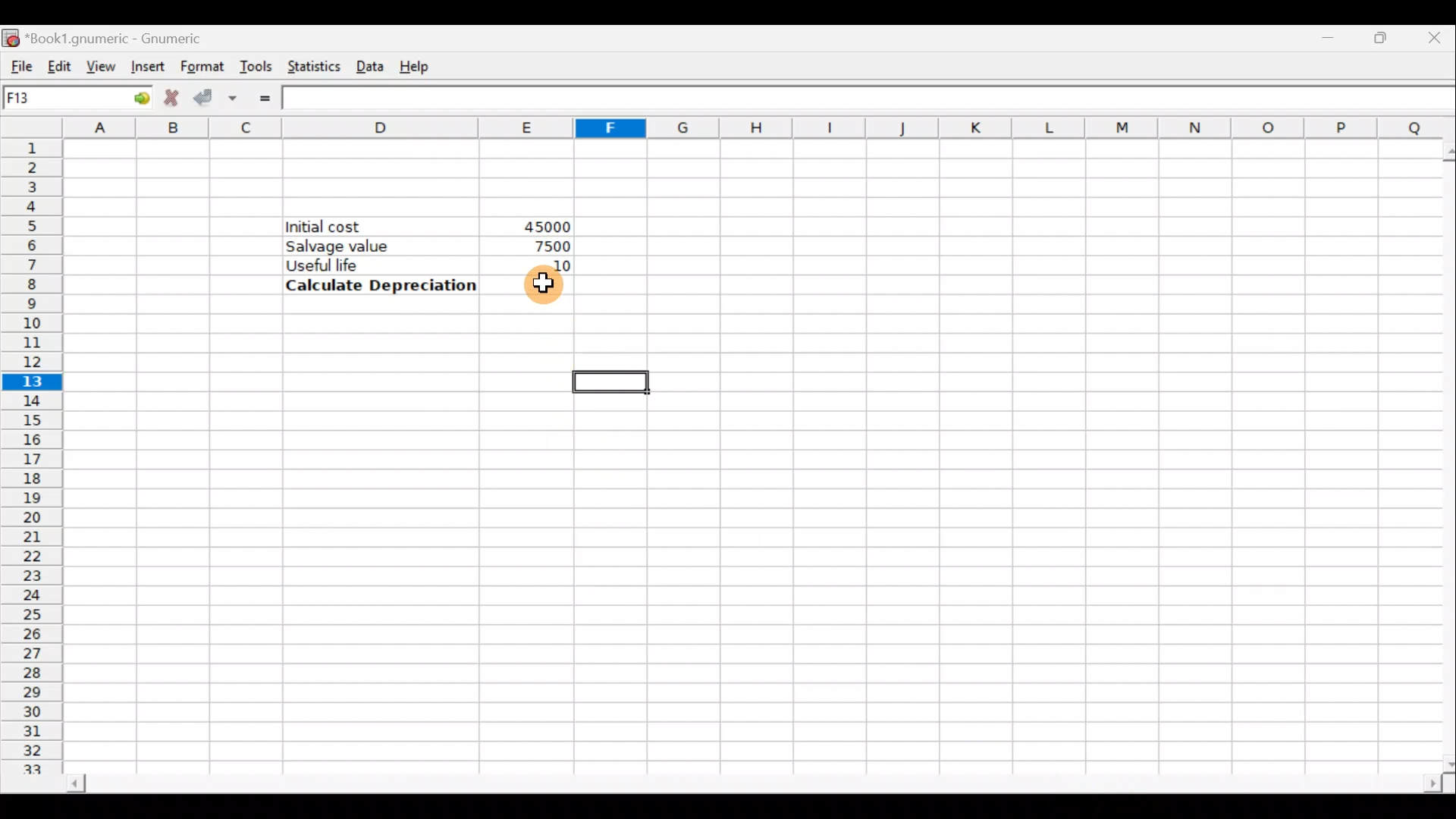 The height and width of the screenshot is (819, 1456). I want to click on Minimize, so click(1325, 42).